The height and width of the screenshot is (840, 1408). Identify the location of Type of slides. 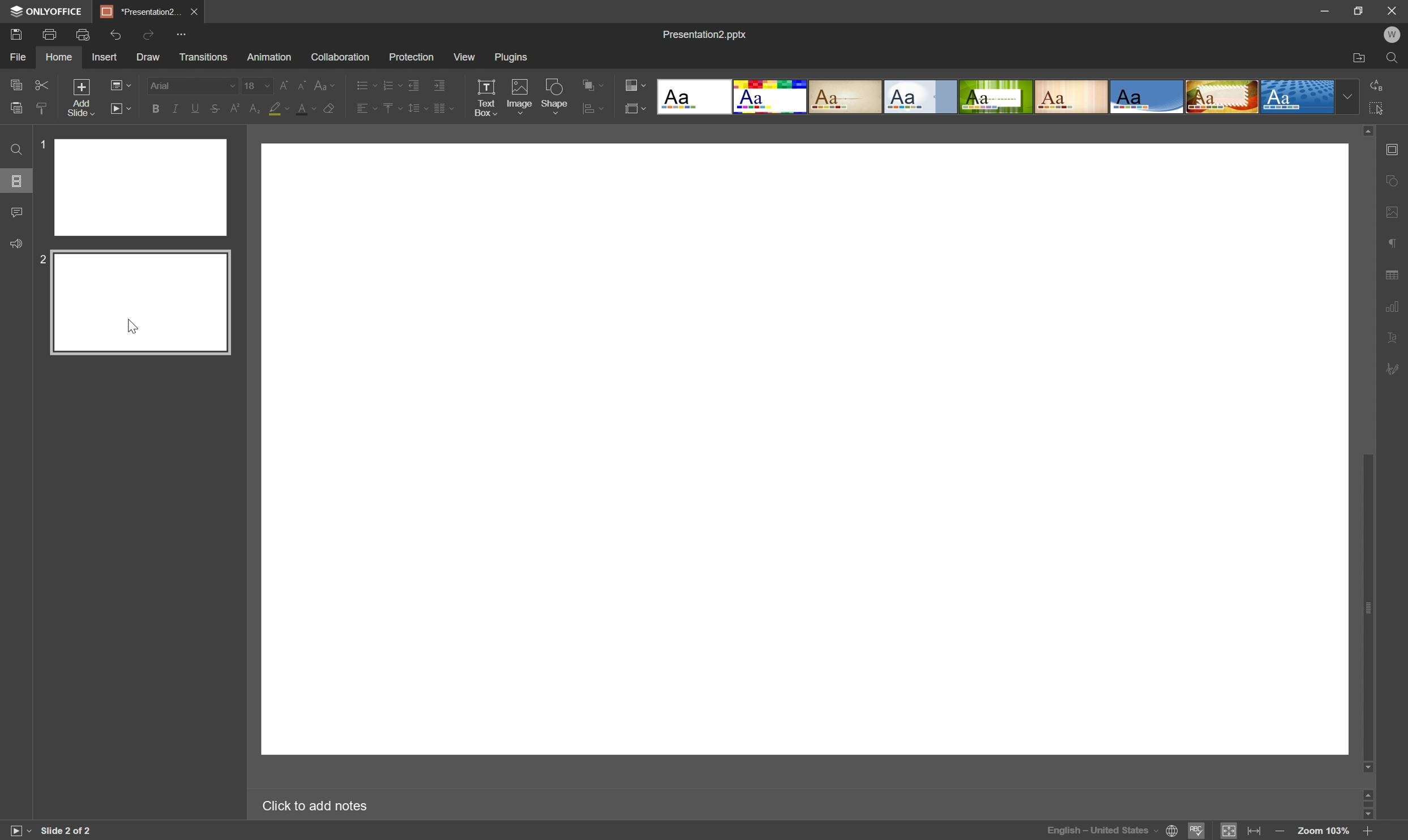
(996, 96).